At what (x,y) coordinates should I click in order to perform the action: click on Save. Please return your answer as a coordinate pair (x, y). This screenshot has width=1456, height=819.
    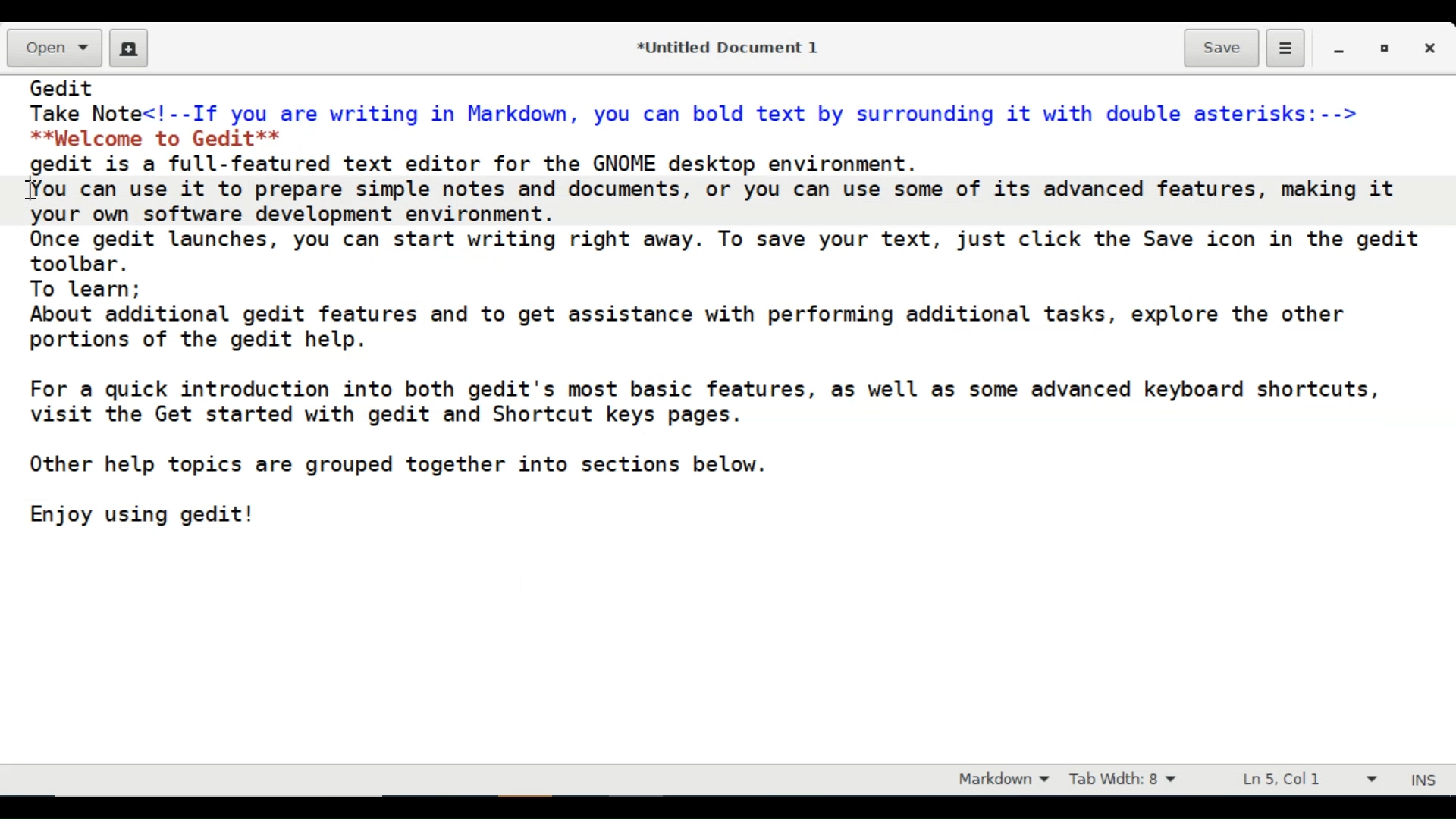
    Looking at the image, I should click on (1222, 47).